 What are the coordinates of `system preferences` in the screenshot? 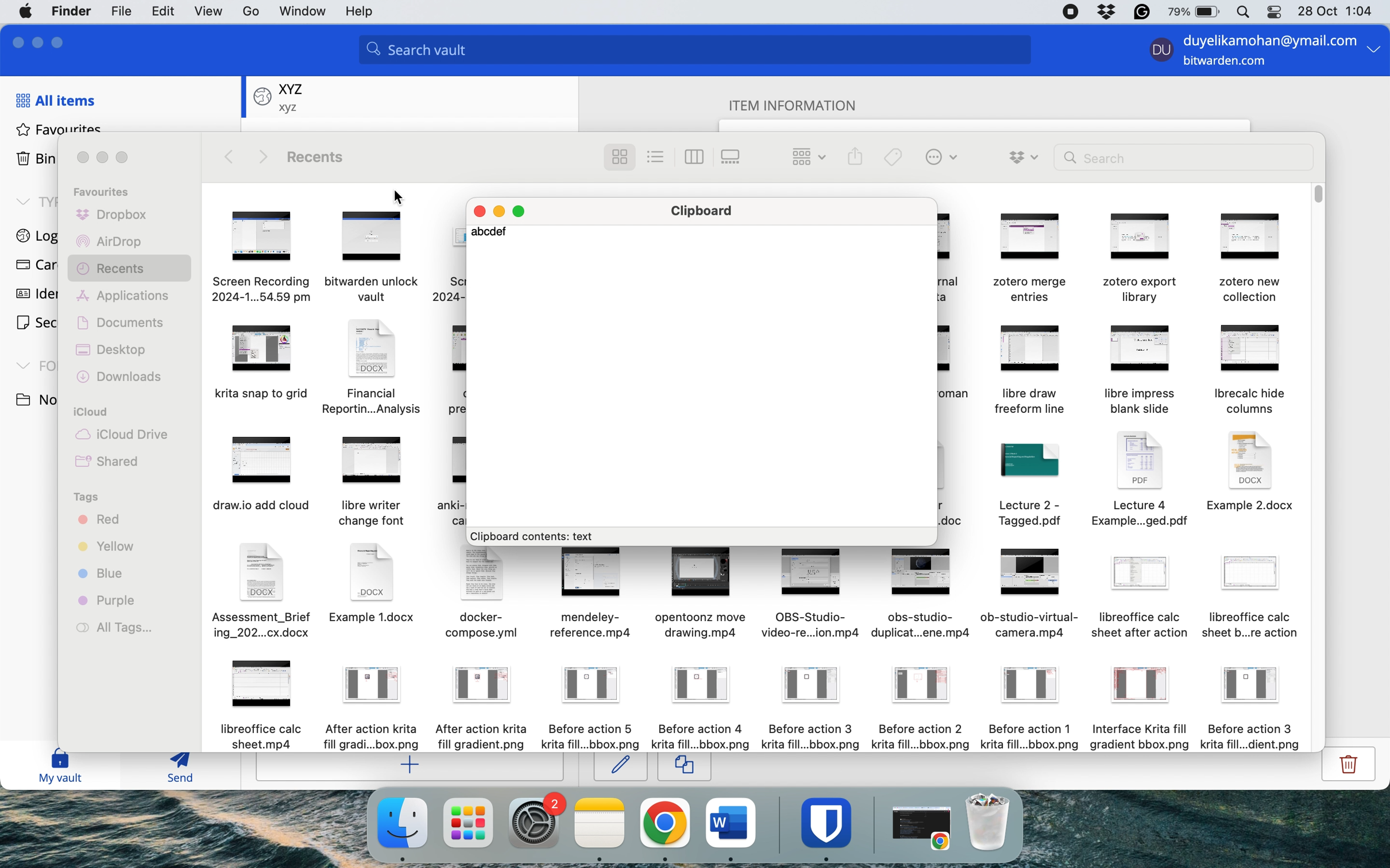 It's located at (536, 822).